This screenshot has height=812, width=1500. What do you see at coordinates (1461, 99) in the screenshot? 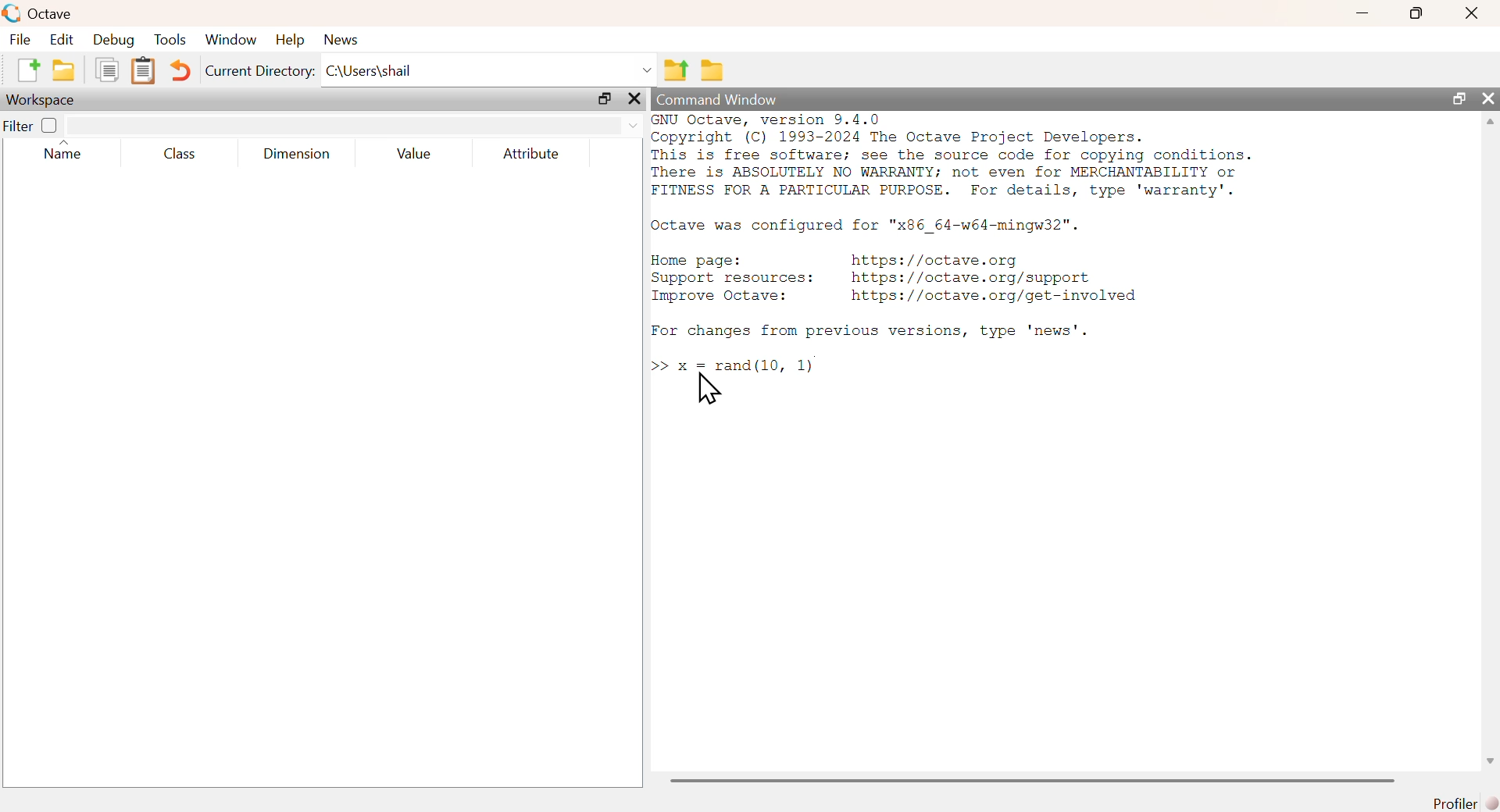
I see `maximize` at bounding box center [1461, 99].